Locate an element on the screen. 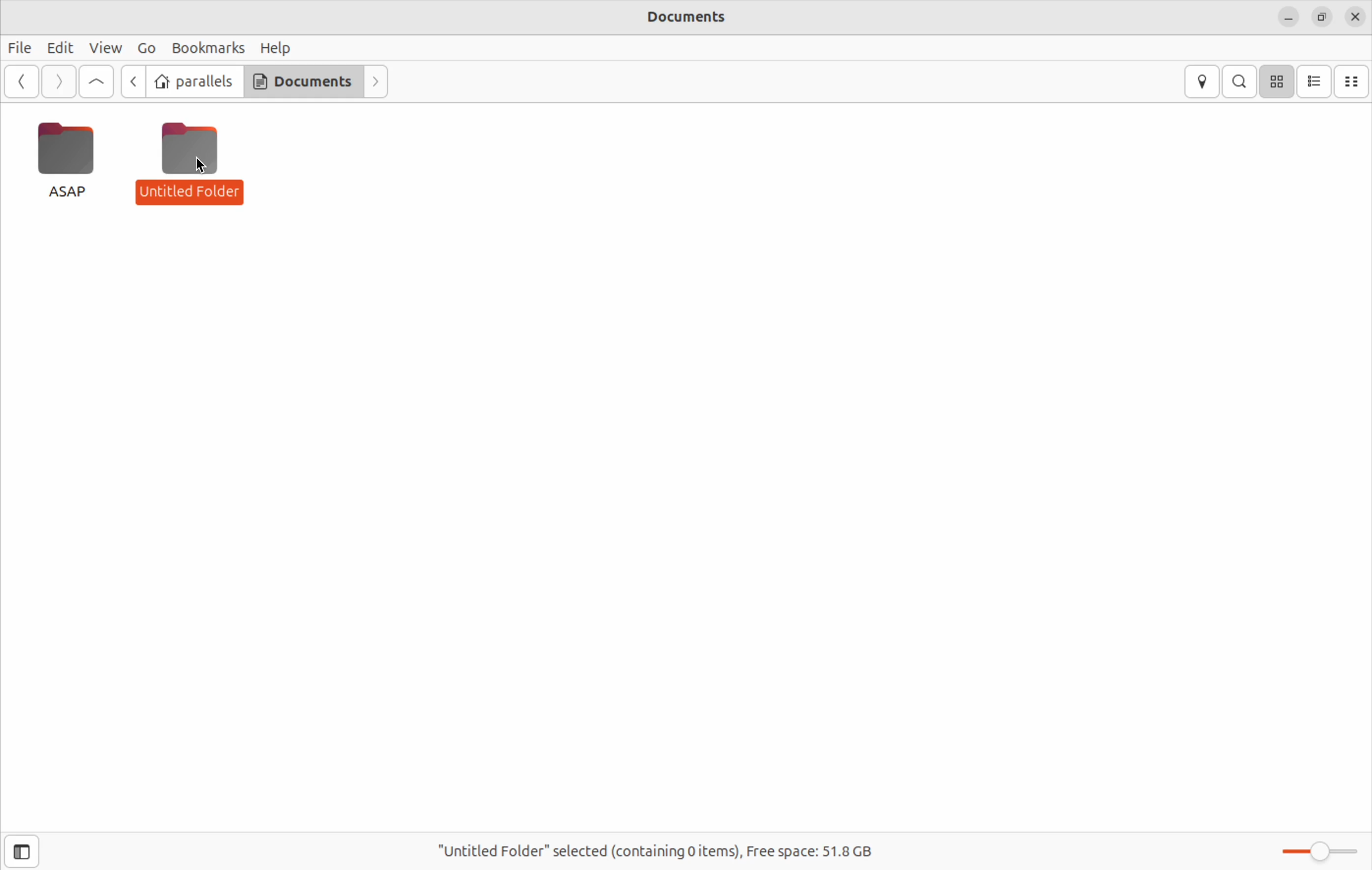 This screenshot has height=870, width=1372. Untitled Folder is located at coordinates (198, 160).